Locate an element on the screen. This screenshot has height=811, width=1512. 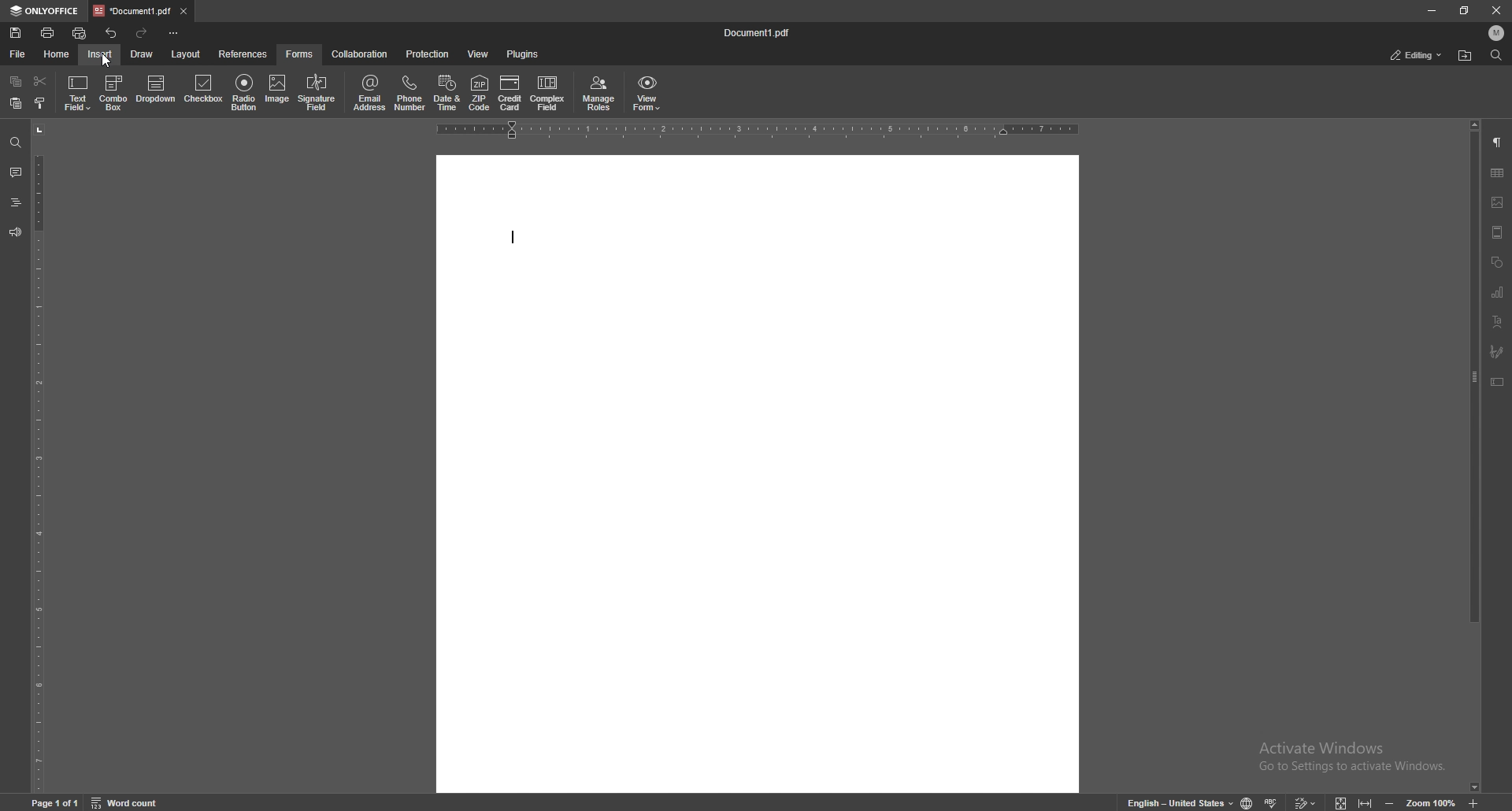
redo is located at coordinates (142, 33).